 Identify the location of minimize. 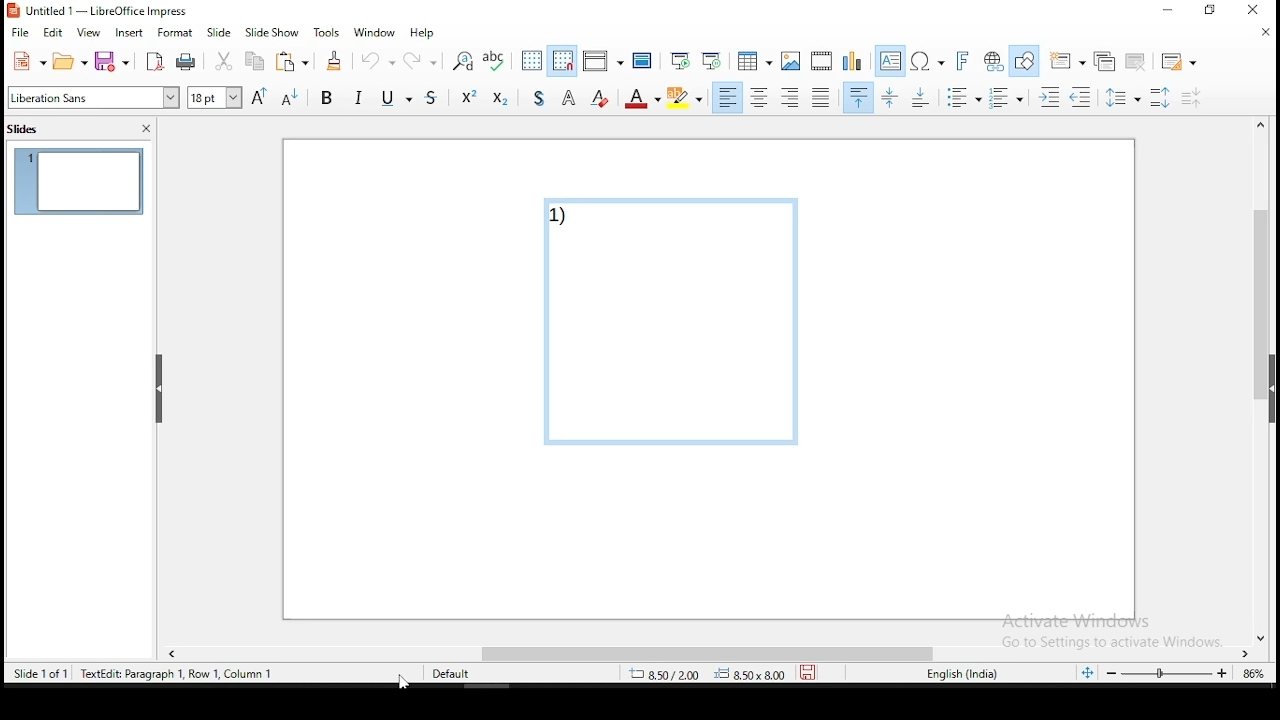
(1166, 12).